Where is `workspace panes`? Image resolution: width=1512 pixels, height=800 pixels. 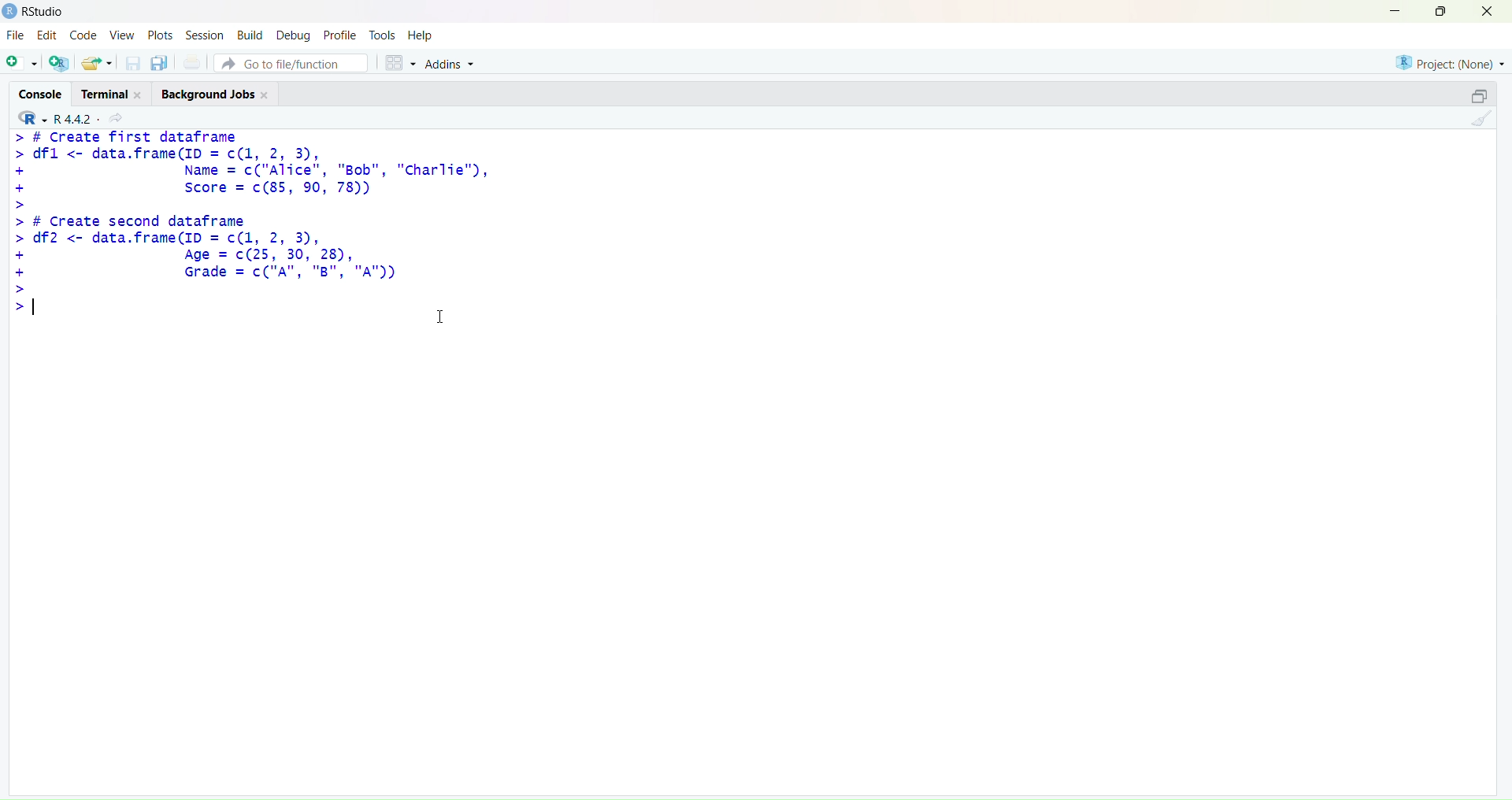 workspace panes is located at coordinates (400, 62).